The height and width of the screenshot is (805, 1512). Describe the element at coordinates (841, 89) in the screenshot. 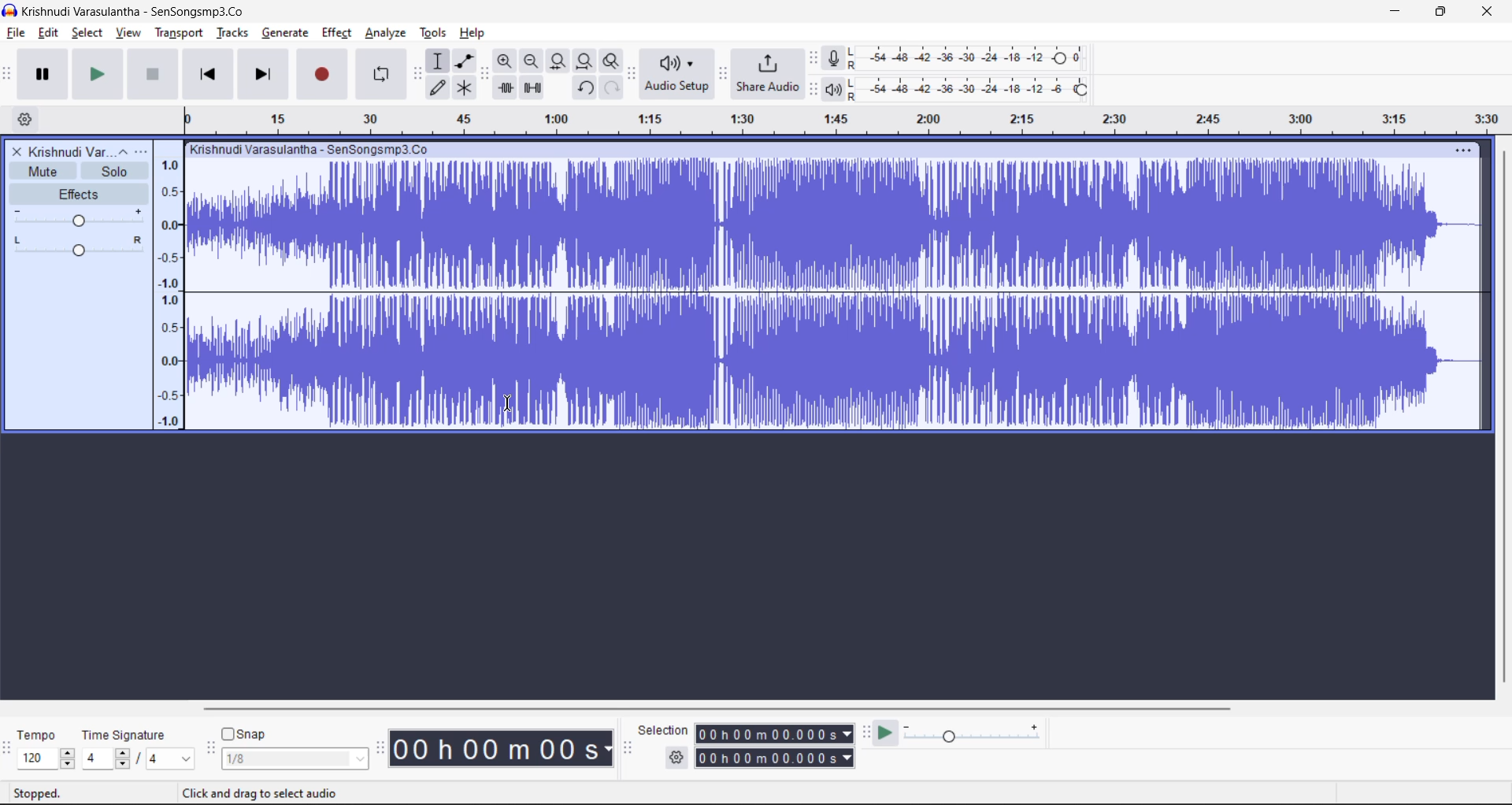

I see `playback meter` at that location.